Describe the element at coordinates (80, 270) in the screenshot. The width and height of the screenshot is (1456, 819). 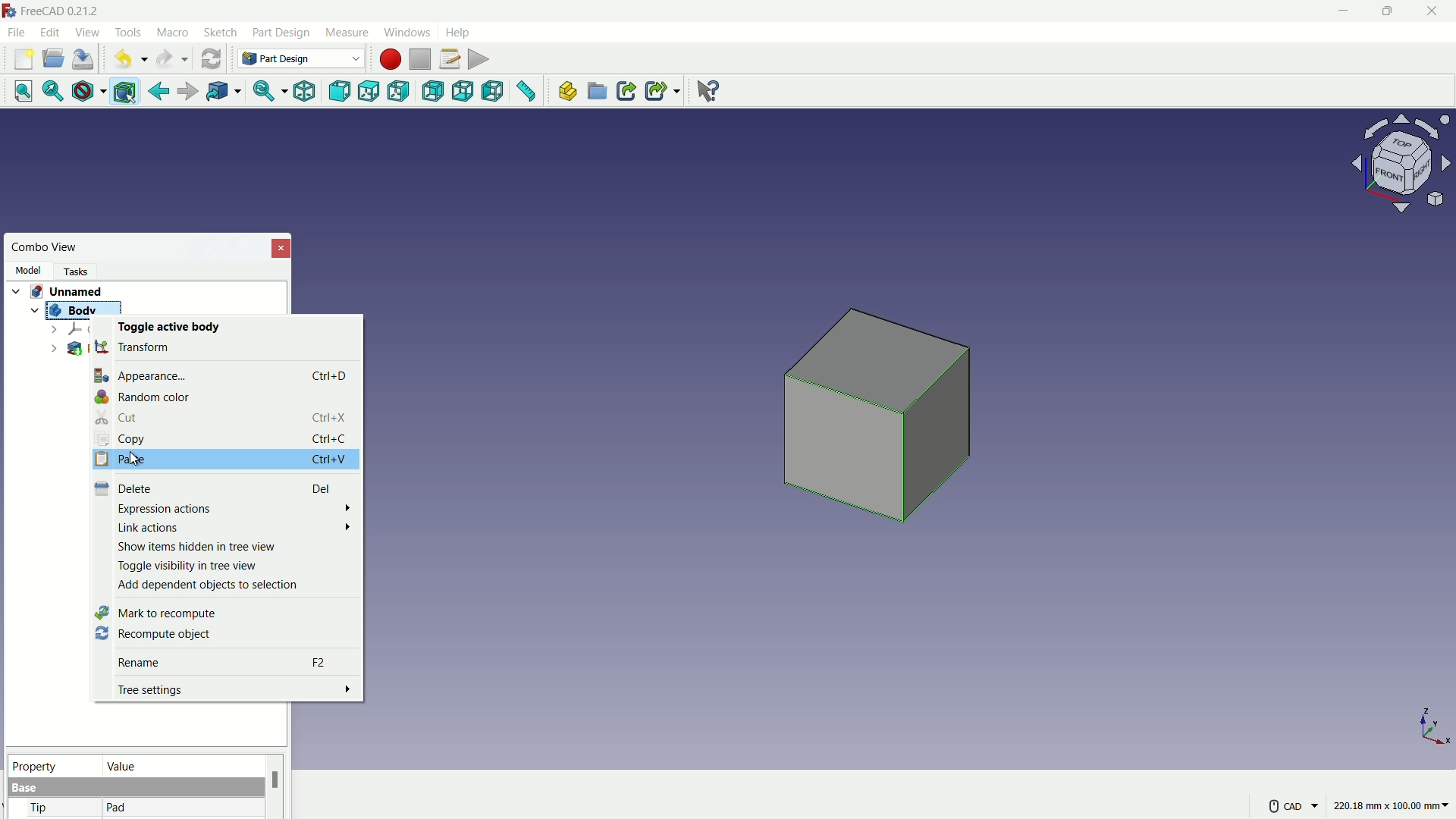
I see `task` at that location.